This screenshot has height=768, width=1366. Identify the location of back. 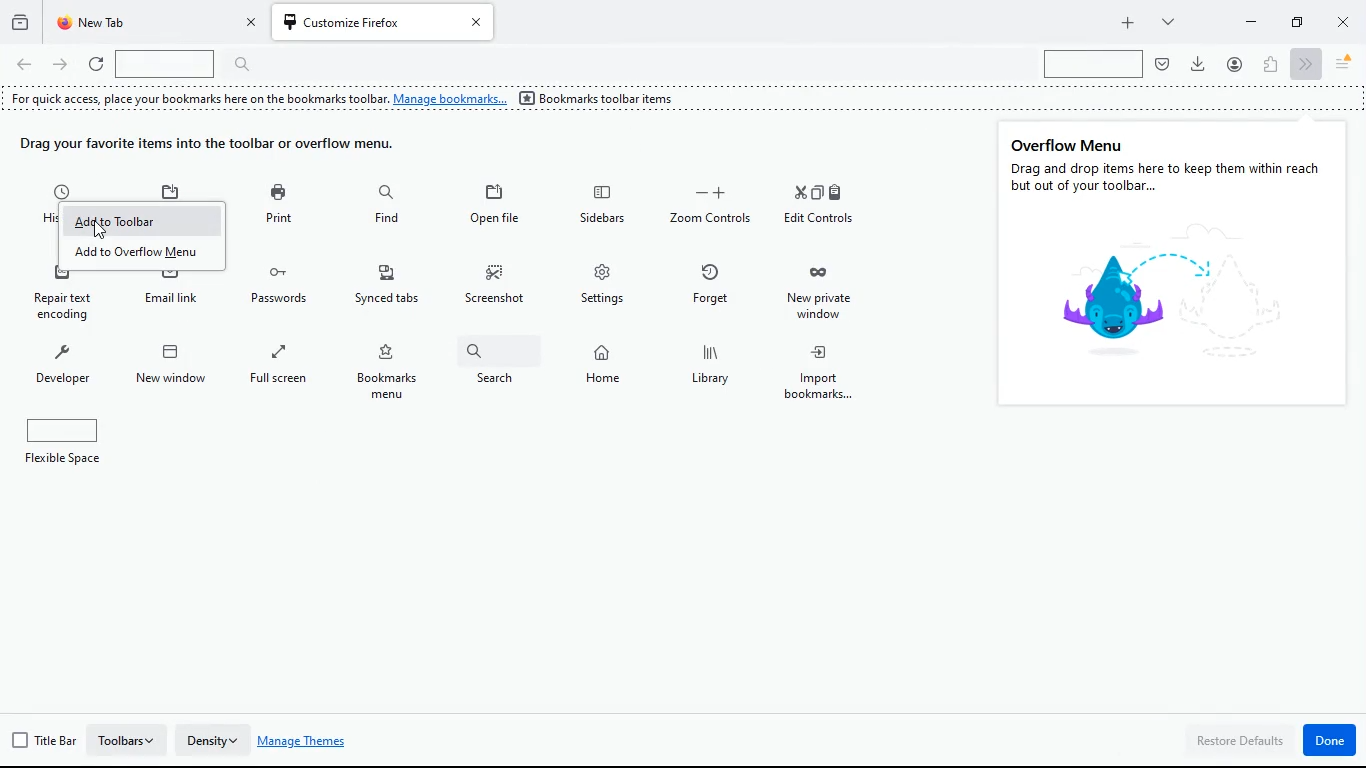
(24, 66).